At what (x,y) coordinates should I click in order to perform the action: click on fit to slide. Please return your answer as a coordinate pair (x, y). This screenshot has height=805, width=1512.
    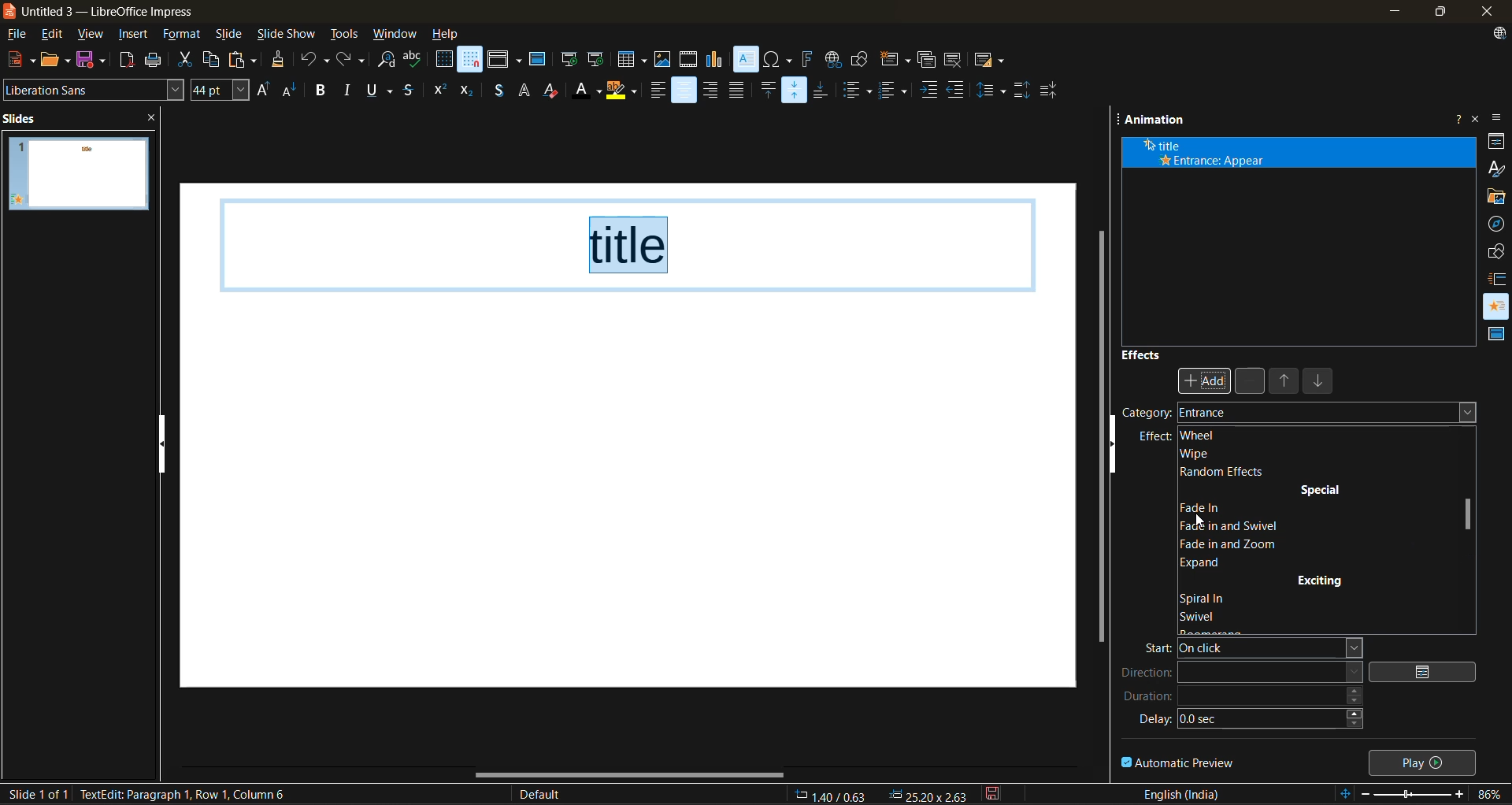
    Looking at the image, I should click on (1347, 795).